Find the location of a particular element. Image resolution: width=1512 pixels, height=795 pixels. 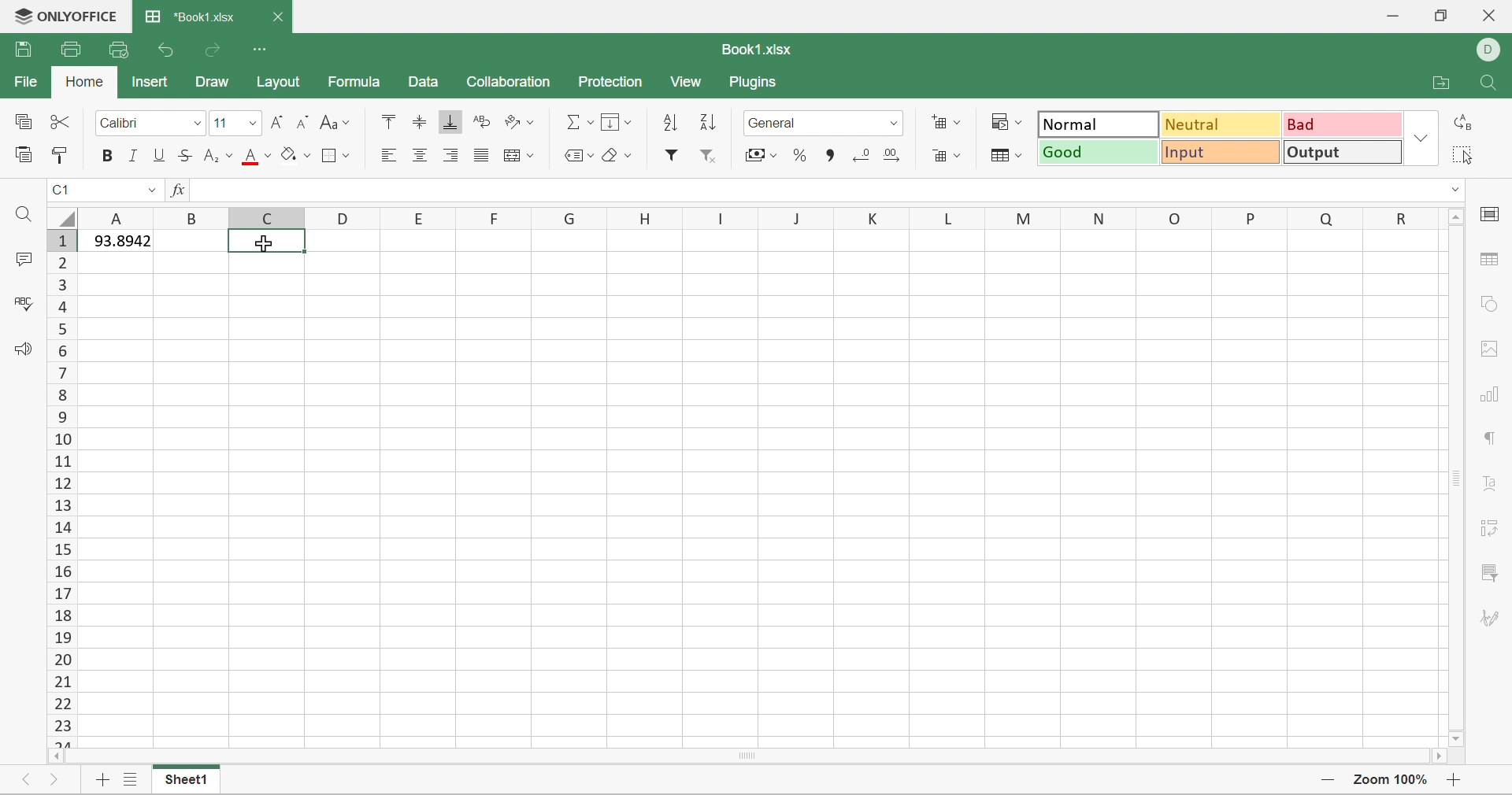

Protection is located at coordinates (612, 81).